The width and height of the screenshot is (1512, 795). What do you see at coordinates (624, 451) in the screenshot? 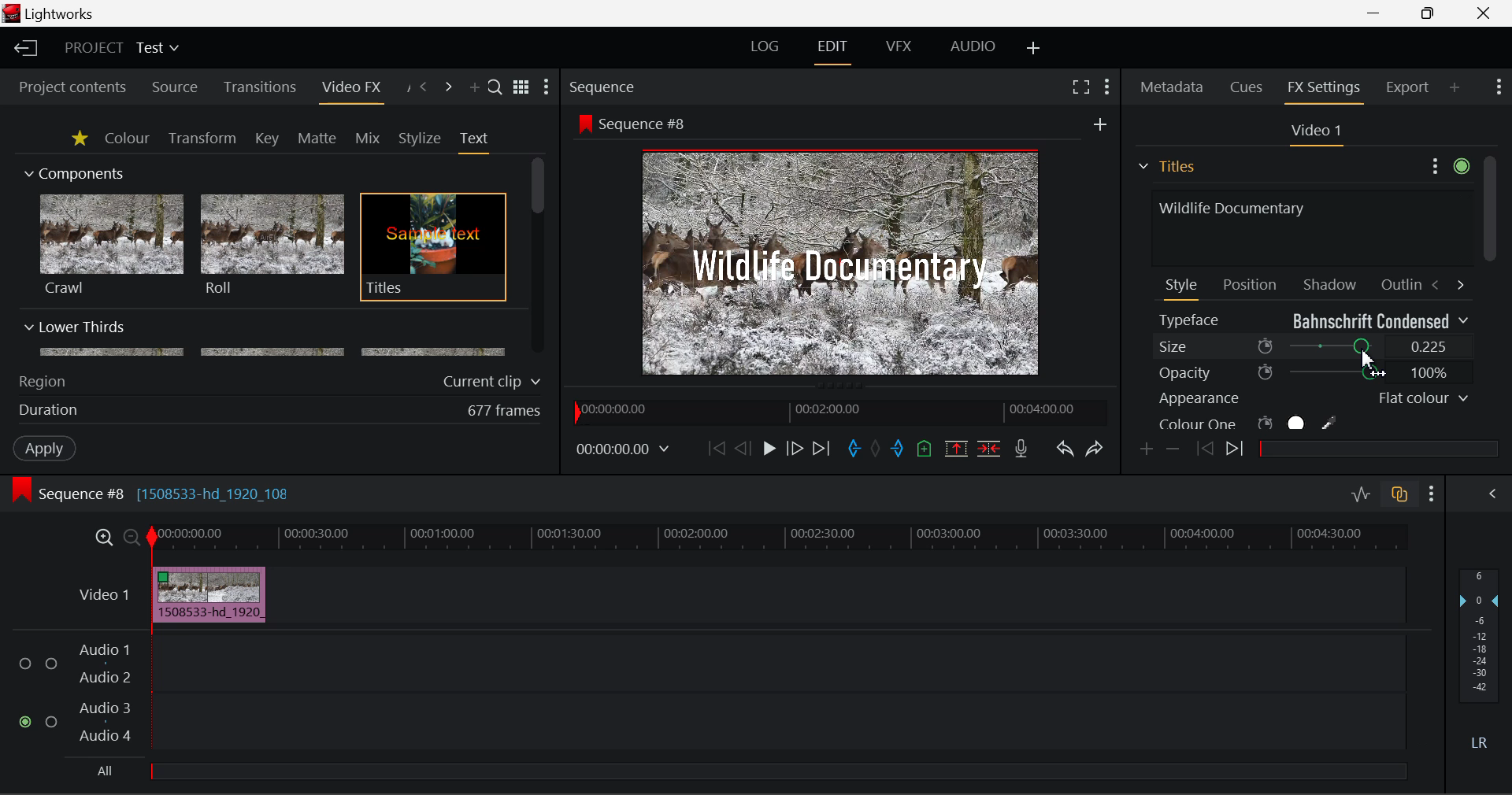
I see `Frame Time` at bounding box center [624, 451].